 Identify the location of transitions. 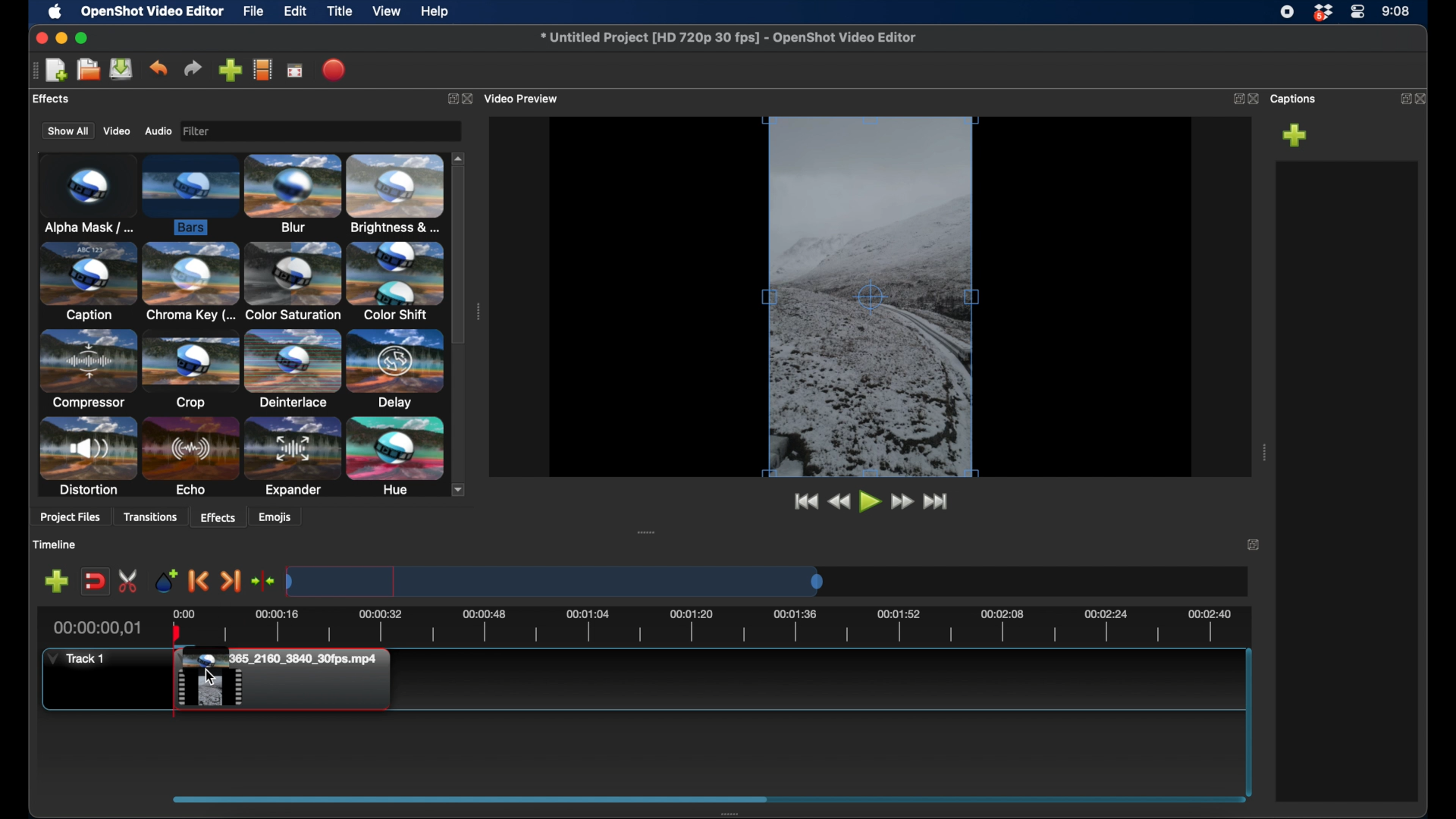
(152, 516).